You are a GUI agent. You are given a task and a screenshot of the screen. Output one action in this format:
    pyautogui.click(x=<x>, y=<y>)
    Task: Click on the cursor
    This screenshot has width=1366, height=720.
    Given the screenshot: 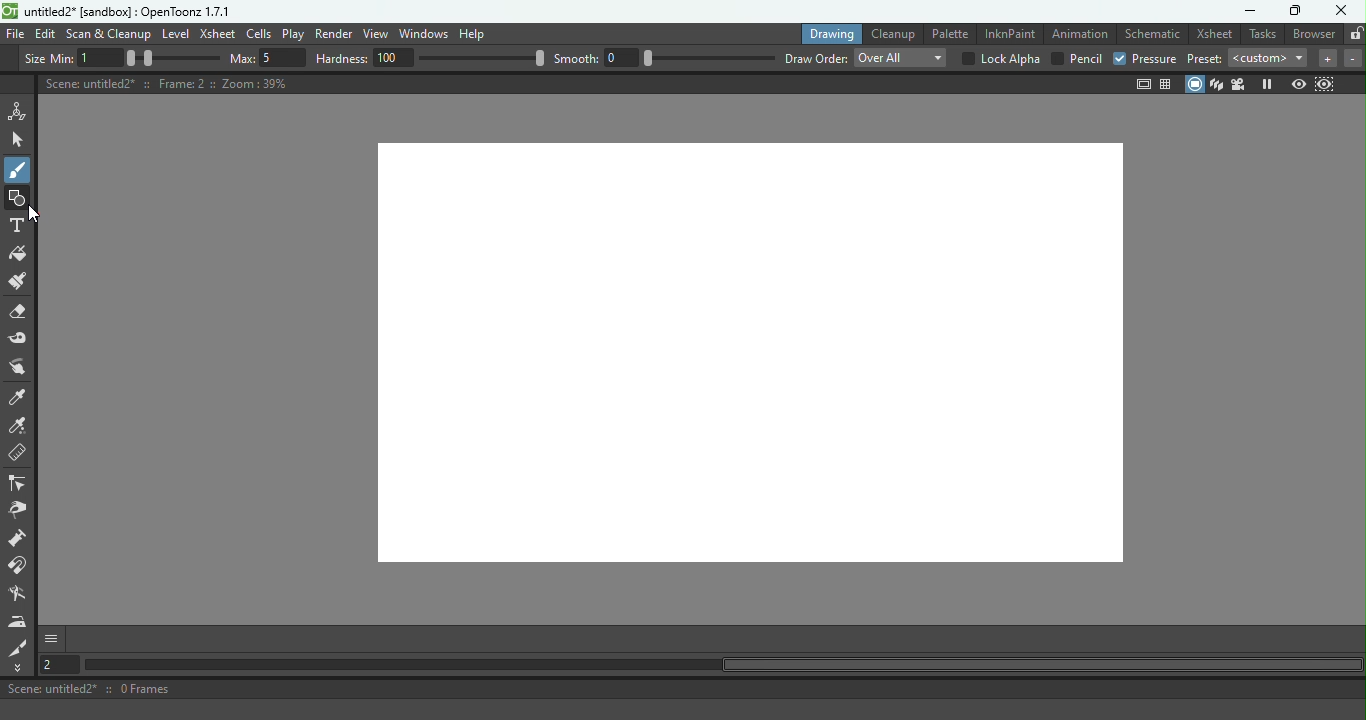 What is the action you would take?
    pyautogui.click(x=35, y=211)
    